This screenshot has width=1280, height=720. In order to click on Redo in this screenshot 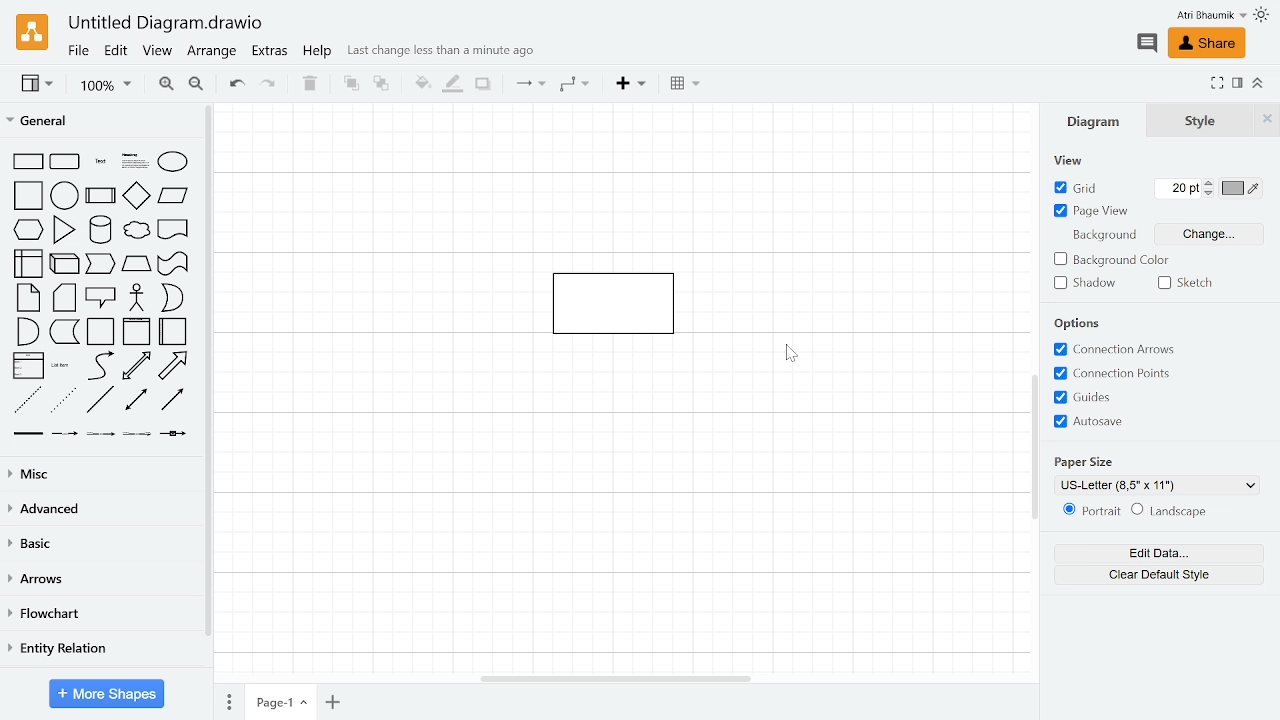, I will do `click(268, 85)`.